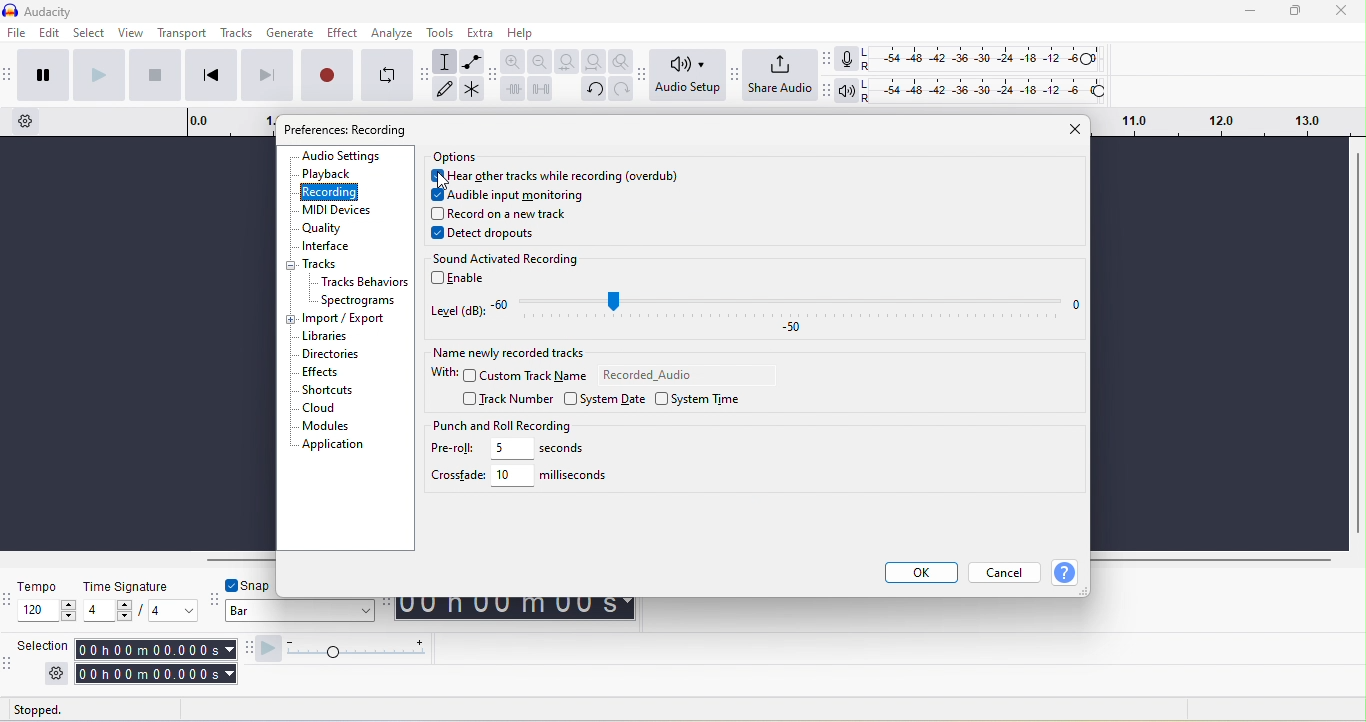 The height and width of the screenshot is (722, 1366). What do you see at coordinates (132, 31) in the screenshot?
I see `view` at bounding box center [132, 31].